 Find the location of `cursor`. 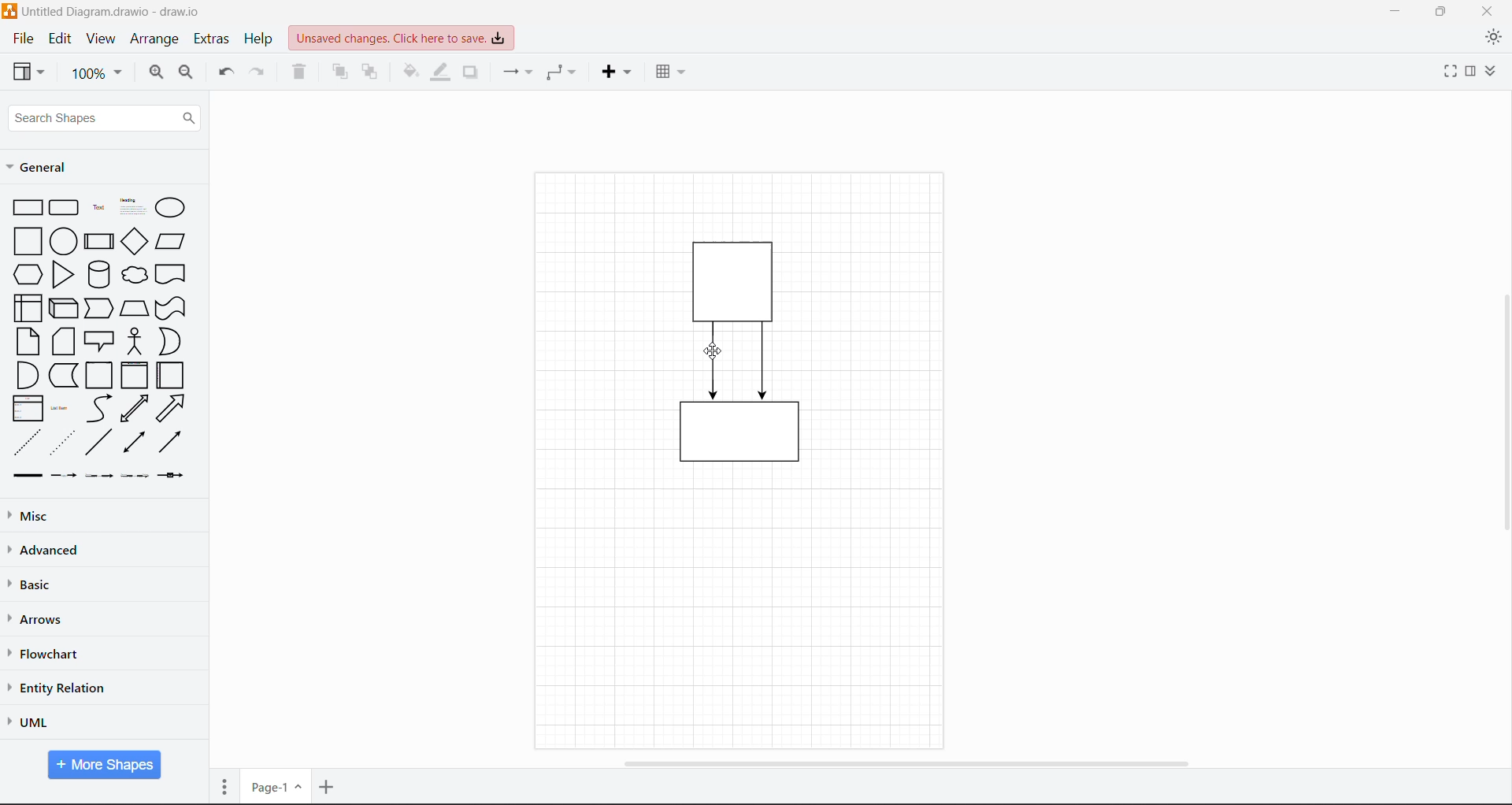

cursor is located at coordinates (716, 352).